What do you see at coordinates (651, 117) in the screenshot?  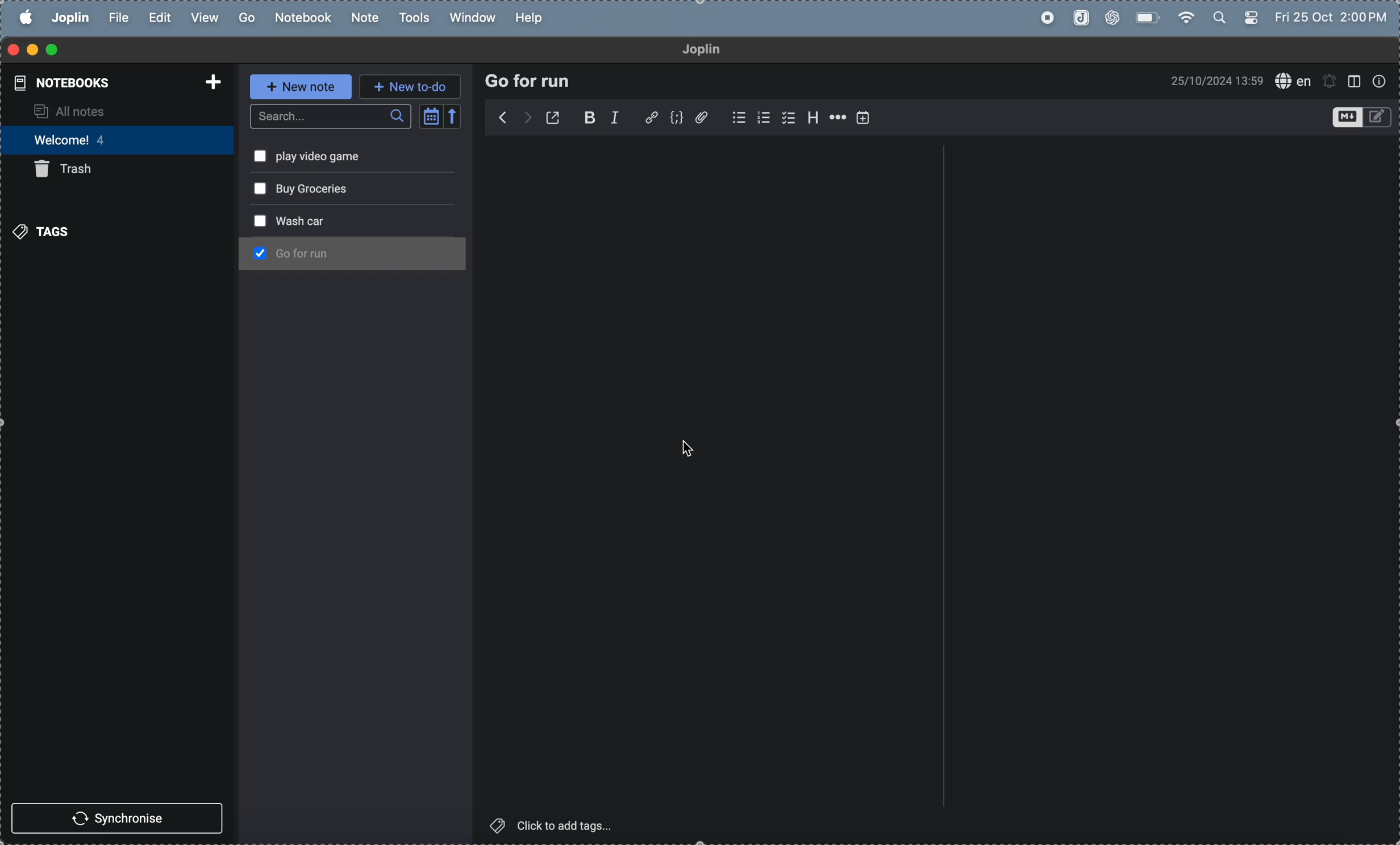 I see `hyper link` at bounding box center [651, 117].